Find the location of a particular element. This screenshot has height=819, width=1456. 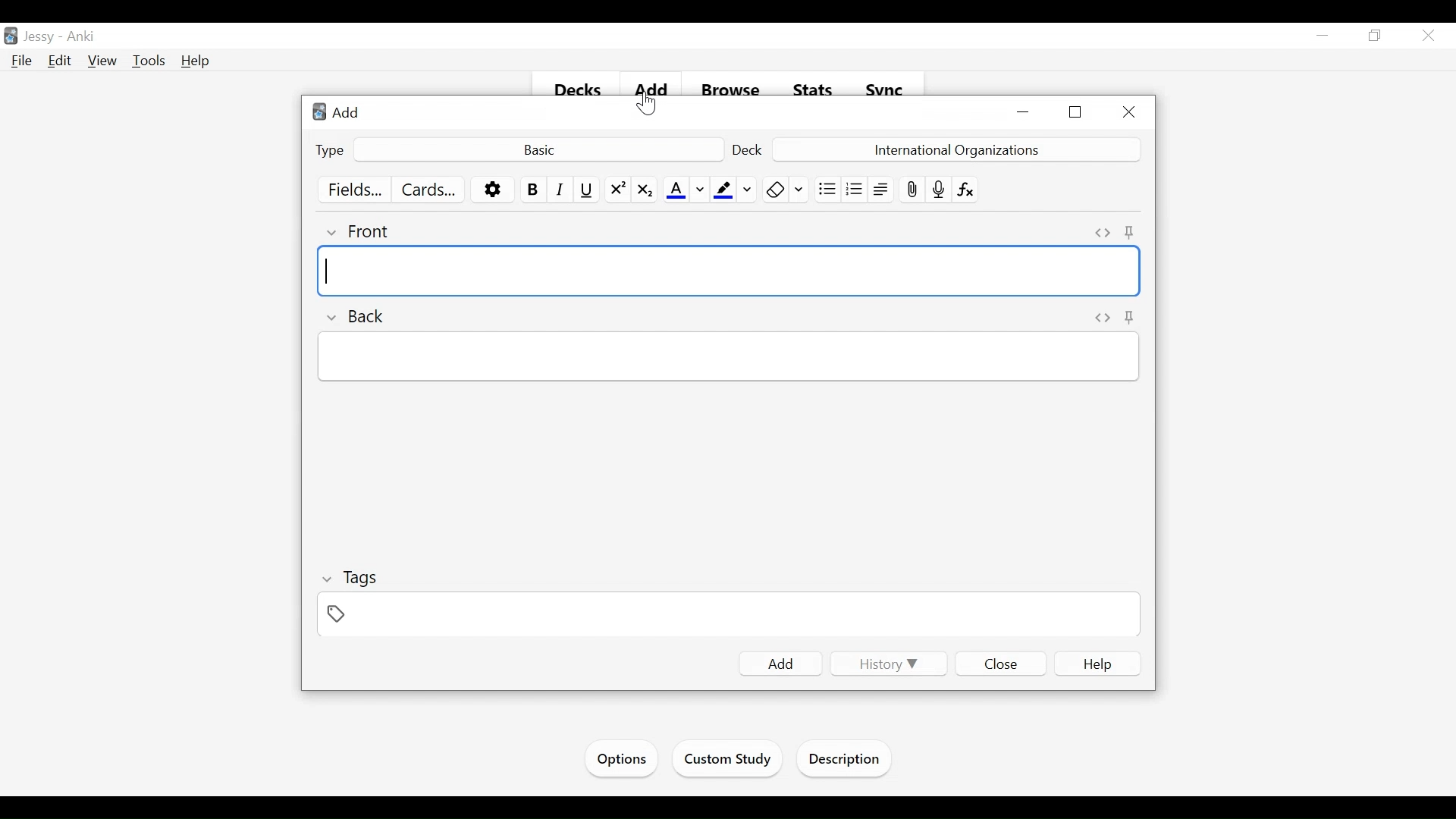

Deck is located at coordinates (748, 149).